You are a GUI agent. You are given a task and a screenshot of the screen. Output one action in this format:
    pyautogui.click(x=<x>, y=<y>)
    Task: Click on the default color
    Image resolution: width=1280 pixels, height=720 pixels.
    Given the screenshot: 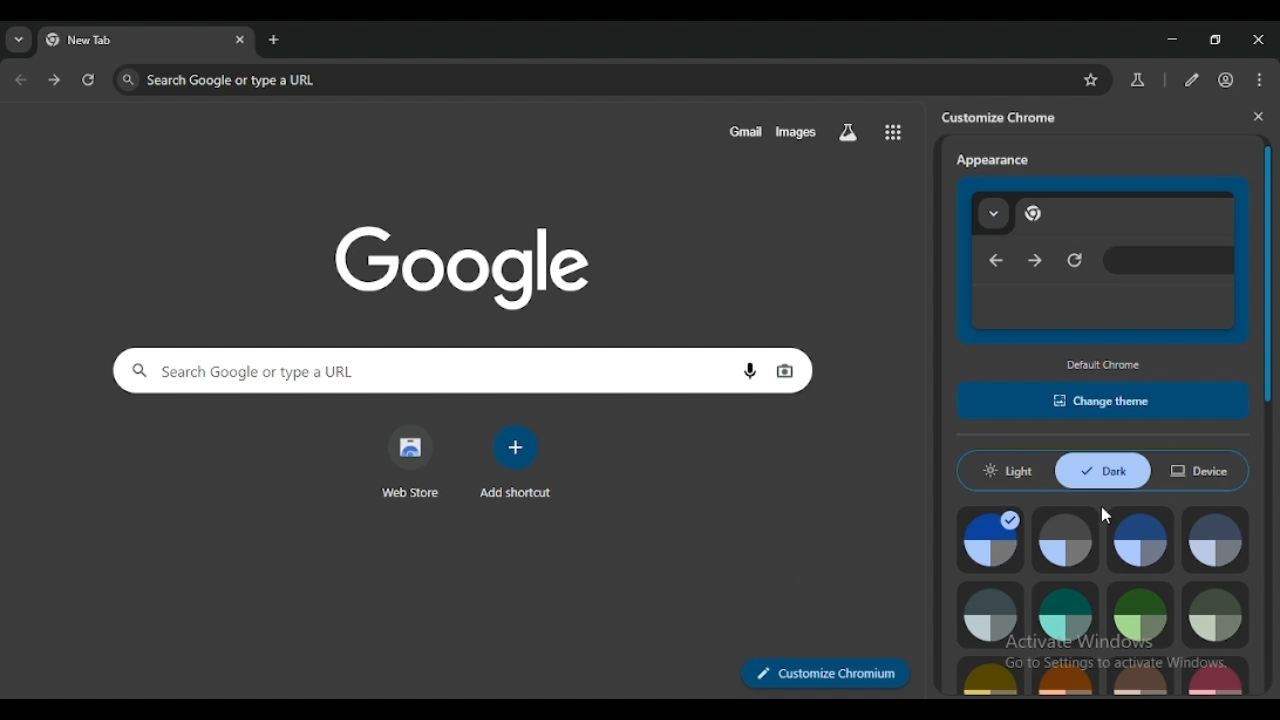 What is the action you would take?
    pyautogui.click(x=990, y=540)
    